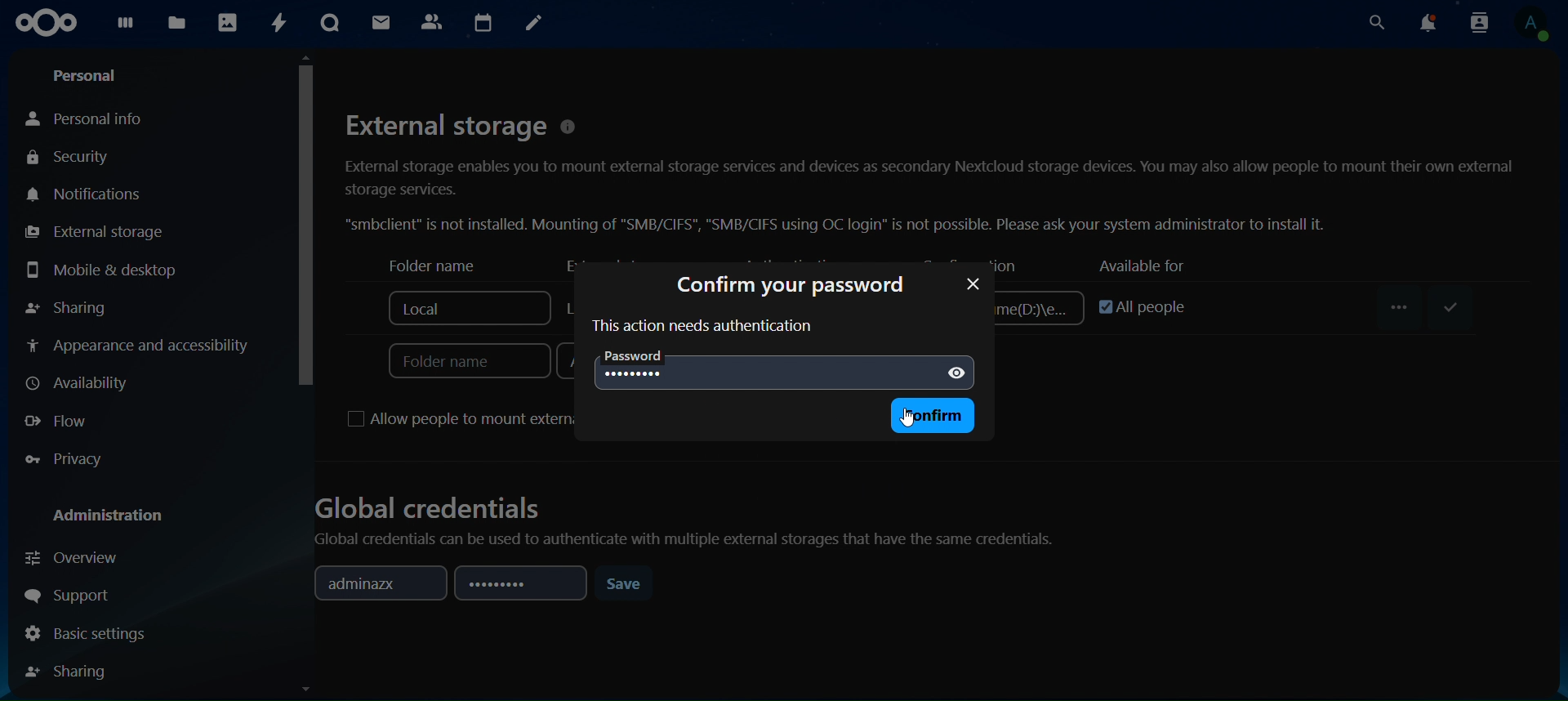 This screenshot has width=1568, height=701. What do you see at coordinates (93, 232) in the screenshot?
I see `external storage` at bounding box center [93, 232].